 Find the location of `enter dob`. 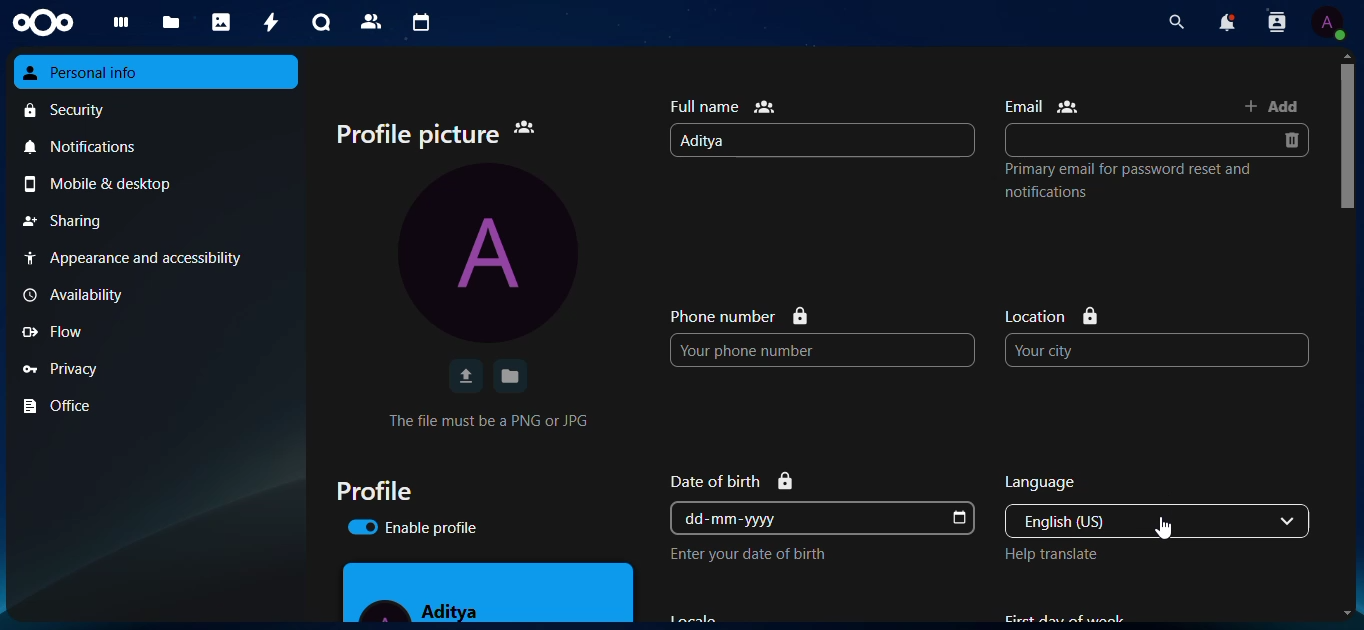

enter dob is located at coordinates (759, 554).